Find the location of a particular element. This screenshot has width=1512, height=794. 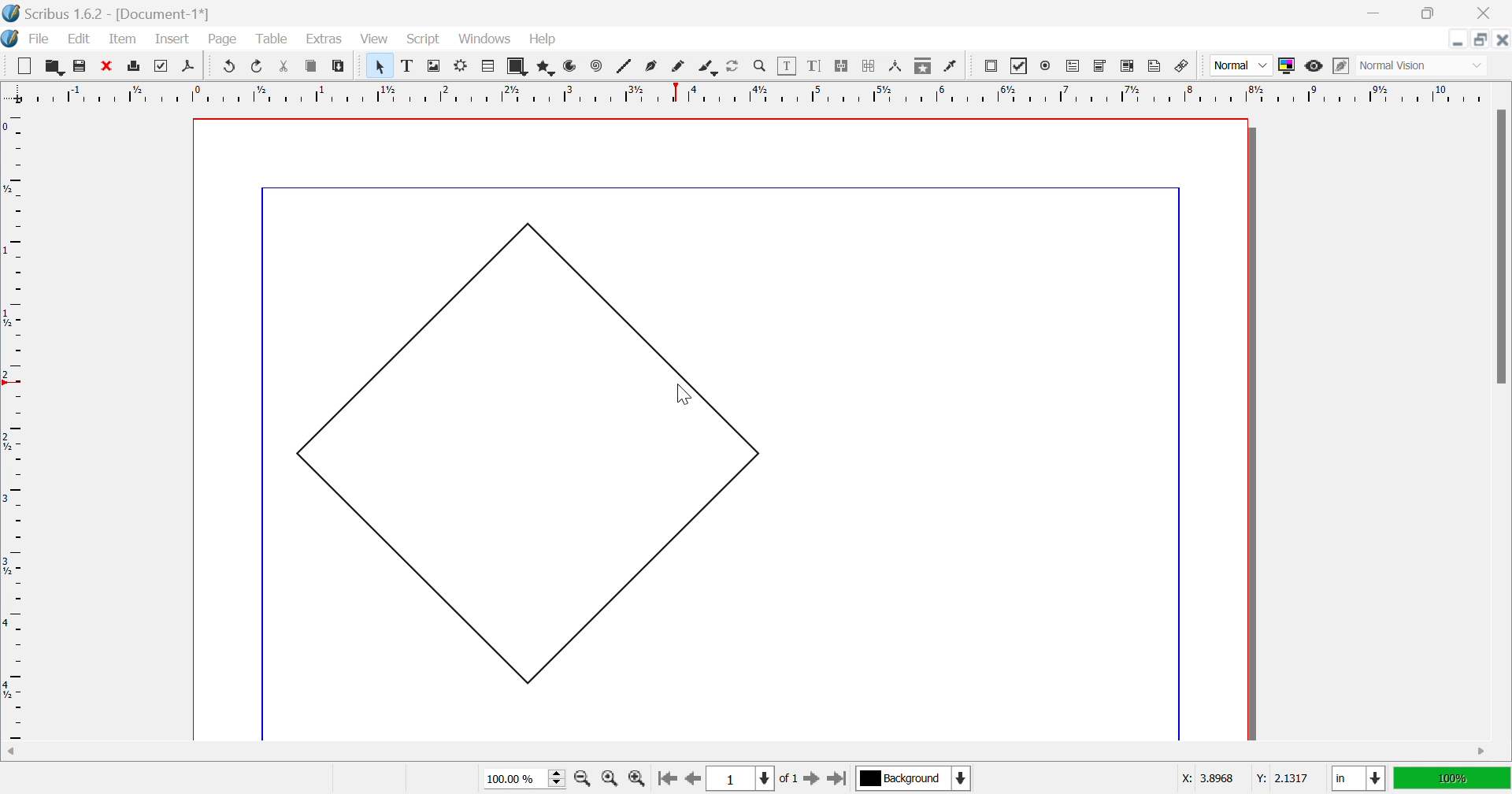

Close is located at coordinates (1502, 39).